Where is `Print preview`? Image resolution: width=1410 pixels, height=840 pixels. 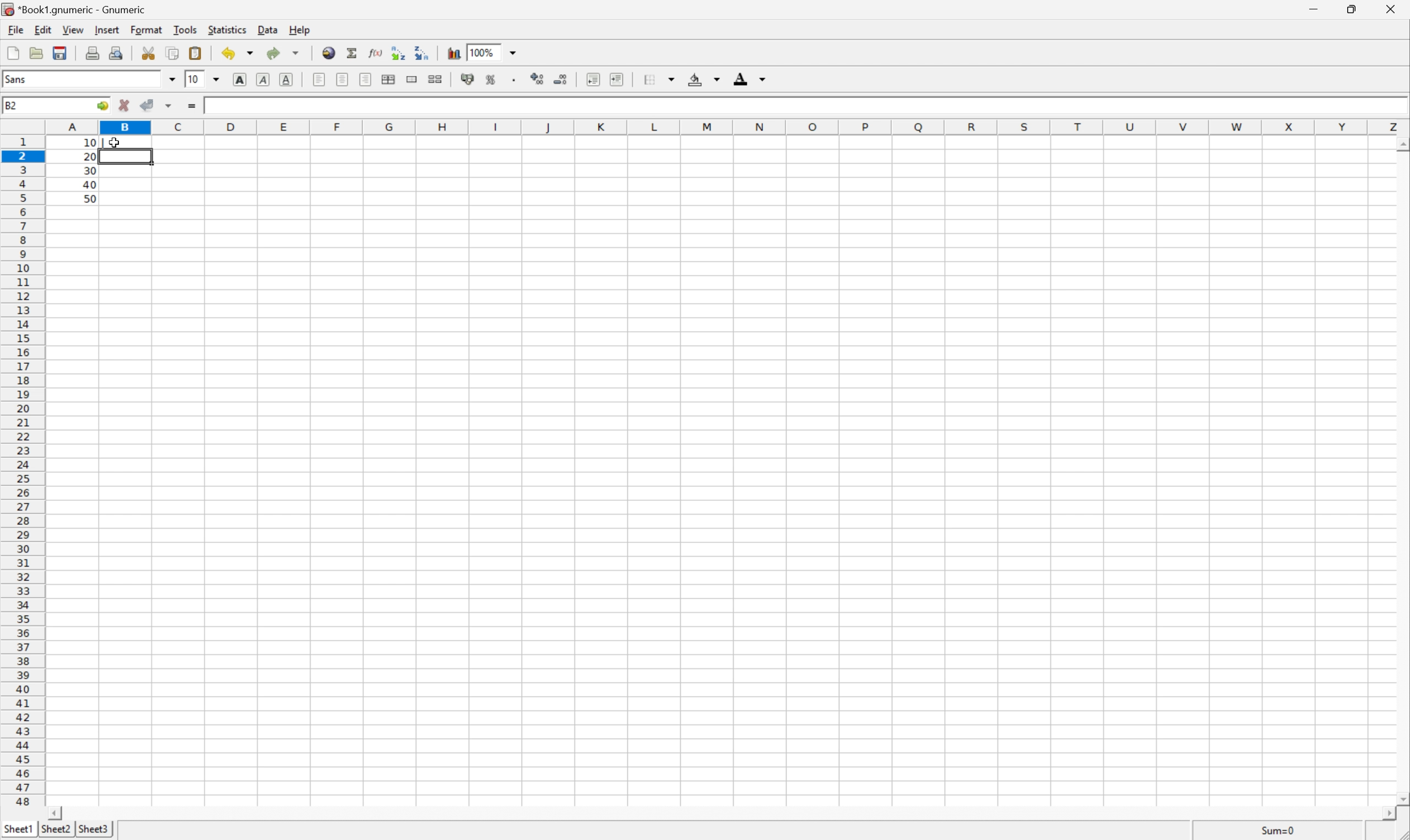 Print preview is located at coordinates (117, 52).